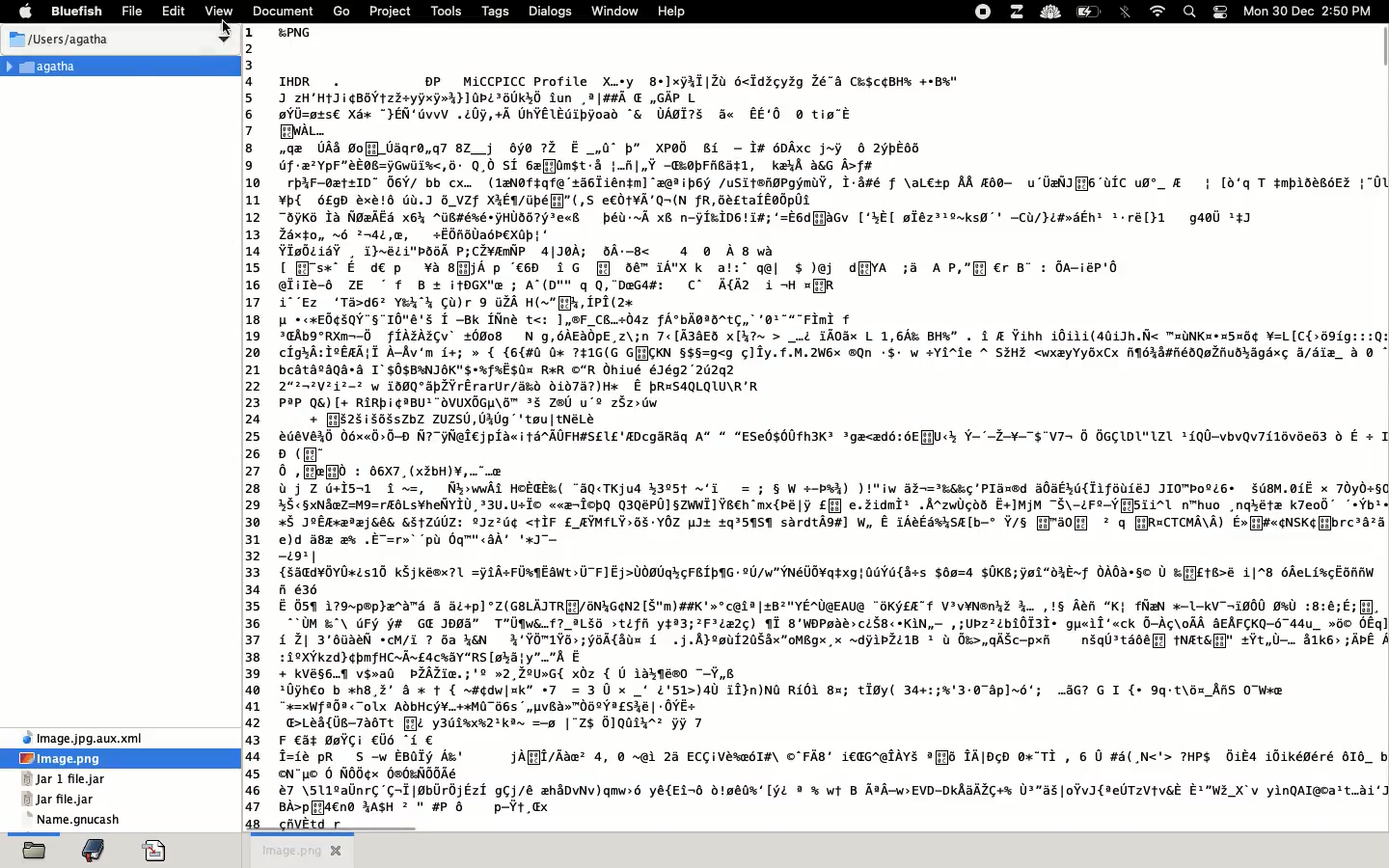 This screenshot has height=868, width=1389. What do you see at coordinates (253, 423) in the screenshot?
I see `line number` at bounding box center [253, 423].